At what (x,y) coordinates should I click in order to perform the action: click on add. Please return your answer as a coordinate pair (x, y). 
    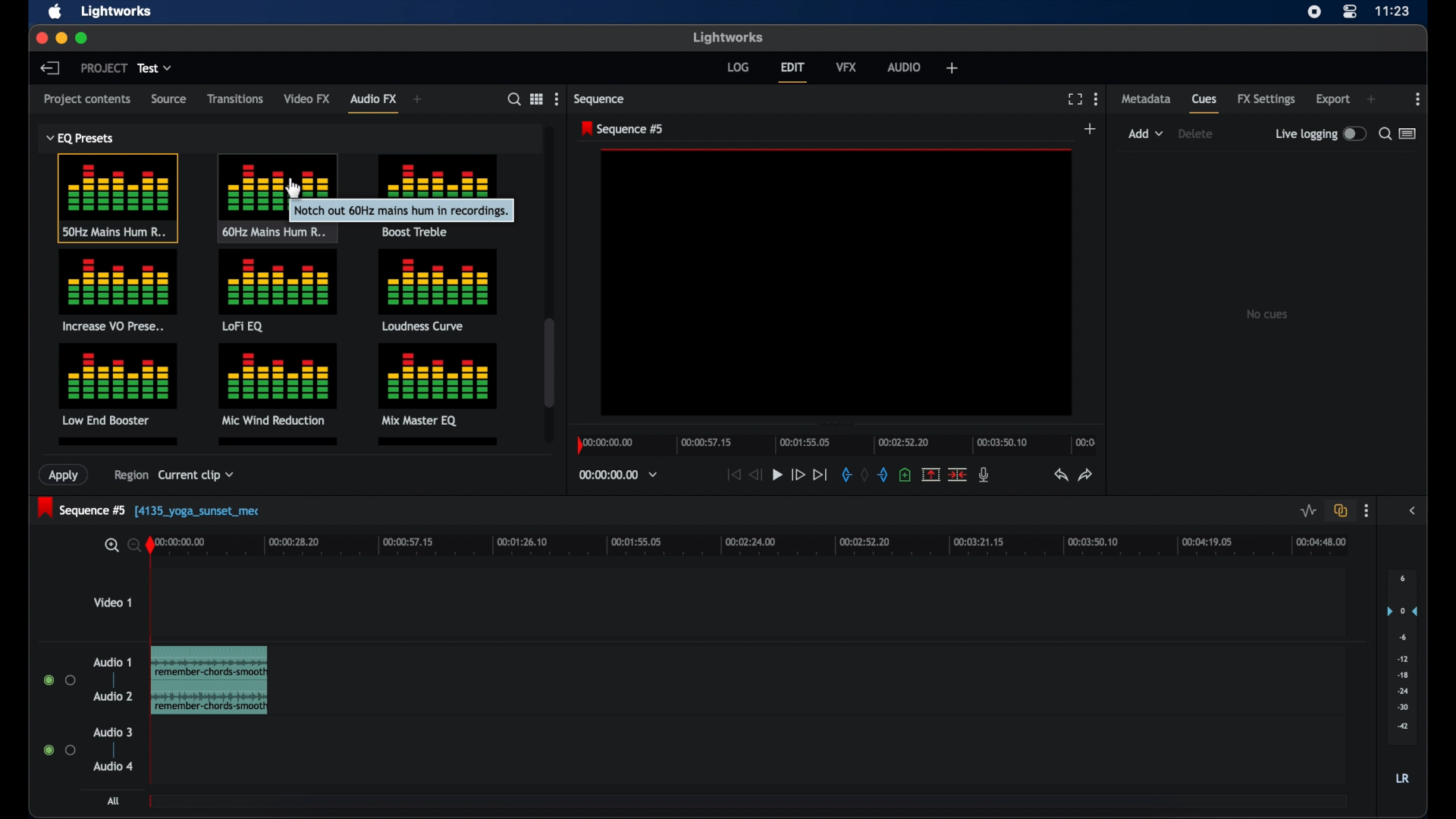
    Looking at the image, I should click on (1146, 133).